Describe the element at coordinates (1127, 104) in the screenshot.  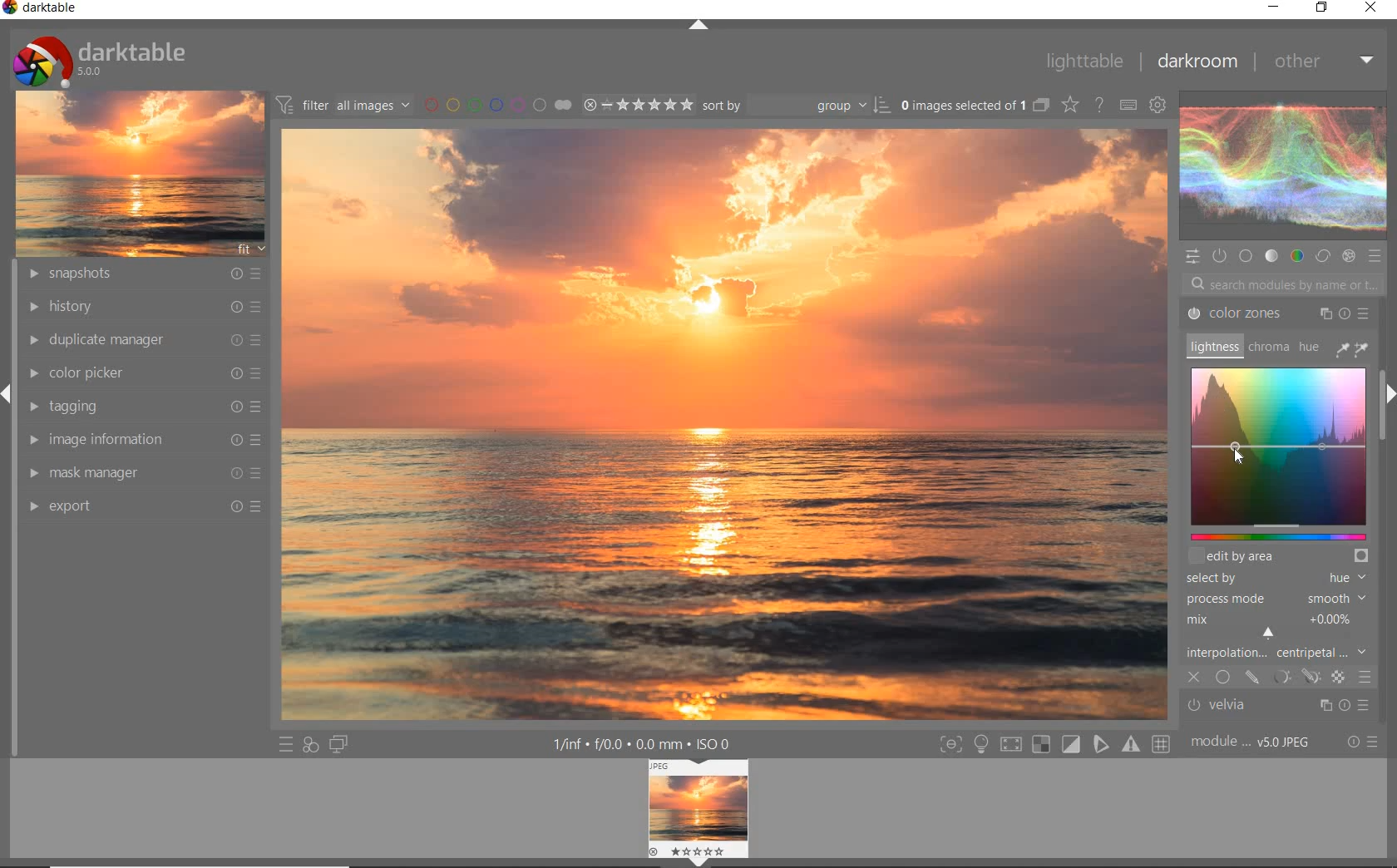
I see `define keyboard shortcut` at that location.